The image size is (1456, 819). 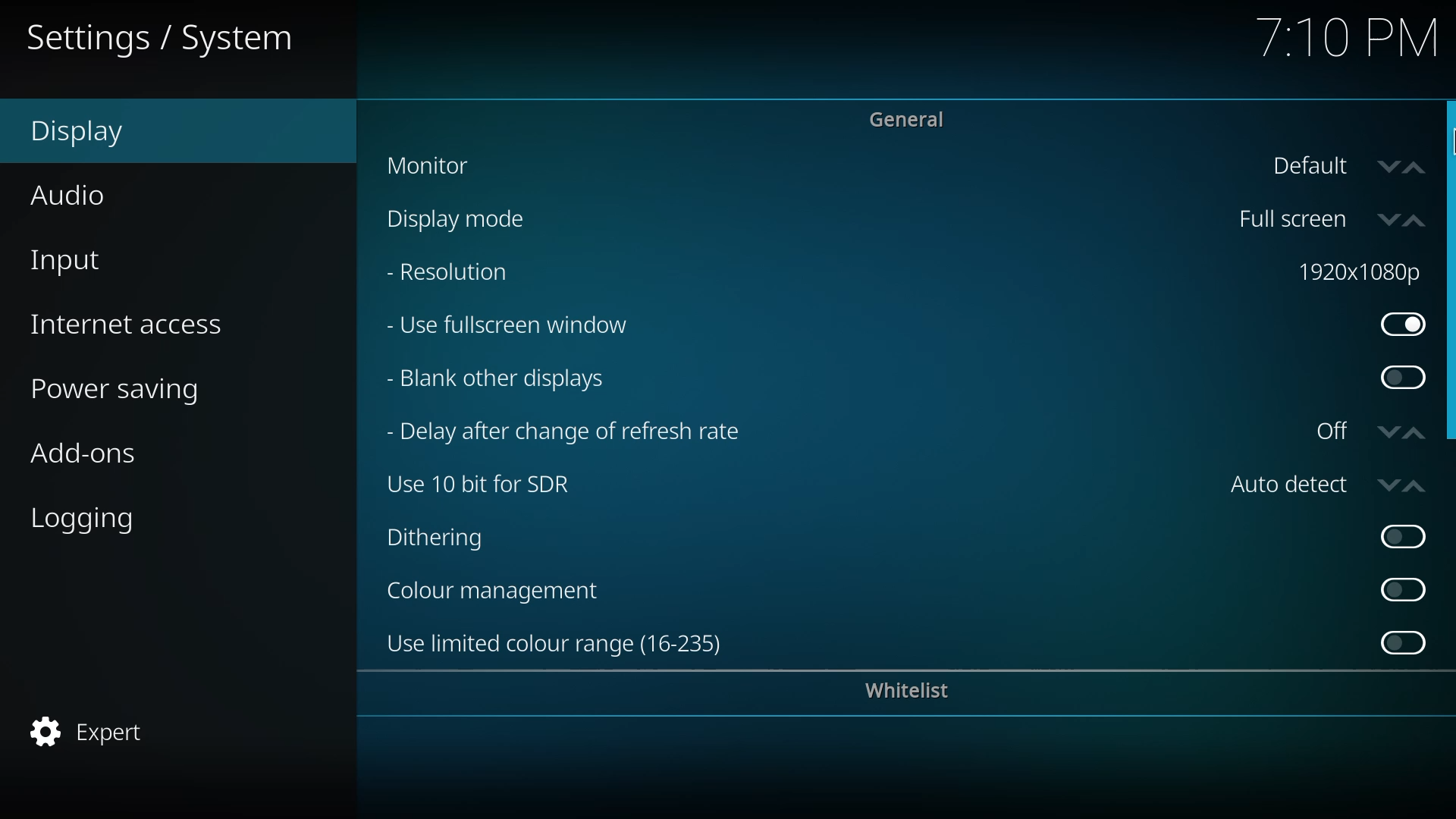 What do you see at coordinates (1457, 272) in the screenshot?
I see `scroll bar` at bounding box center [1457, 272].